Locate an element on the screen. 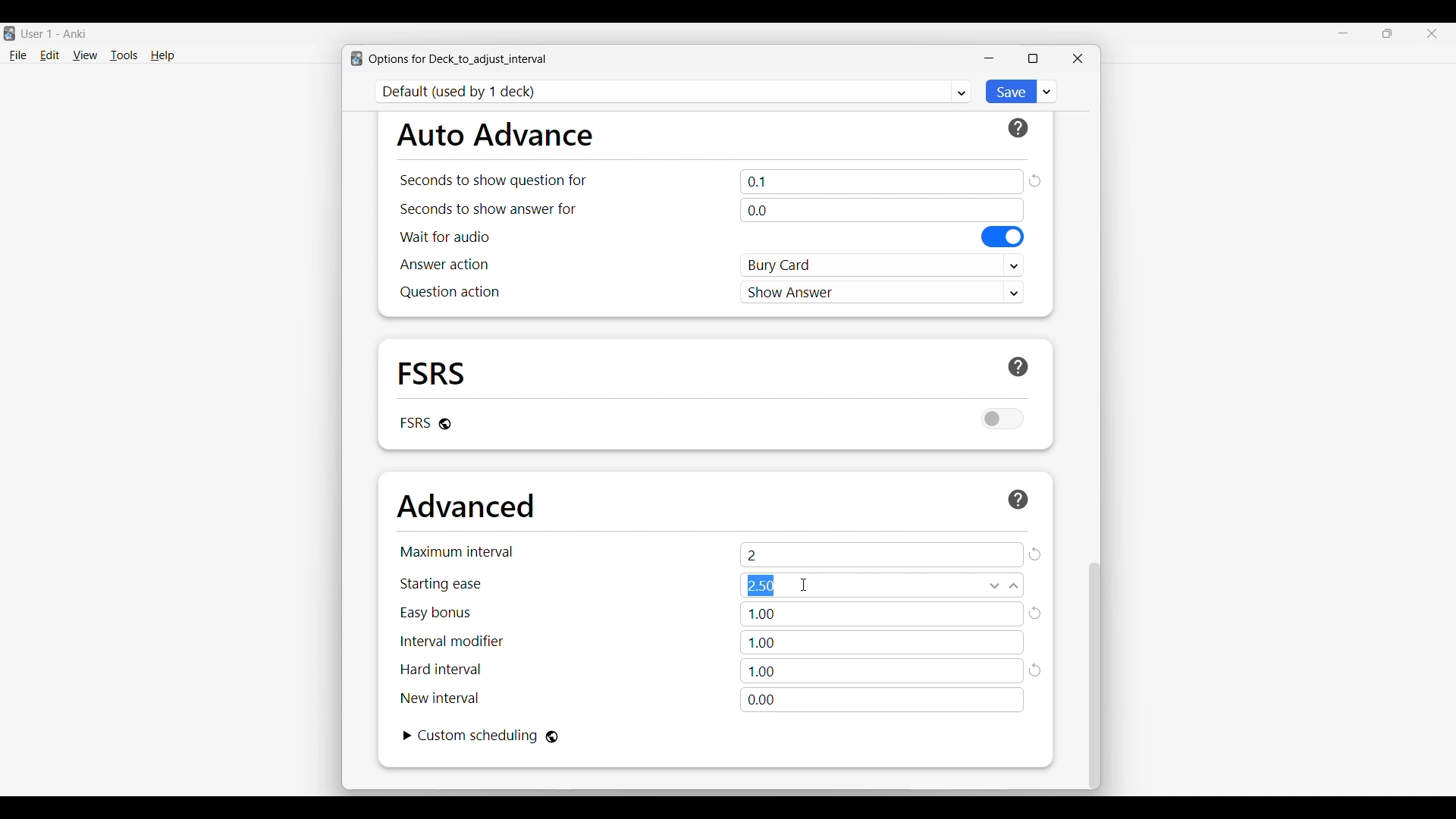 Image resolution: width=1456 pixels, height=819 pixels. Indicates max. interval is located at coordinates (457, 551).